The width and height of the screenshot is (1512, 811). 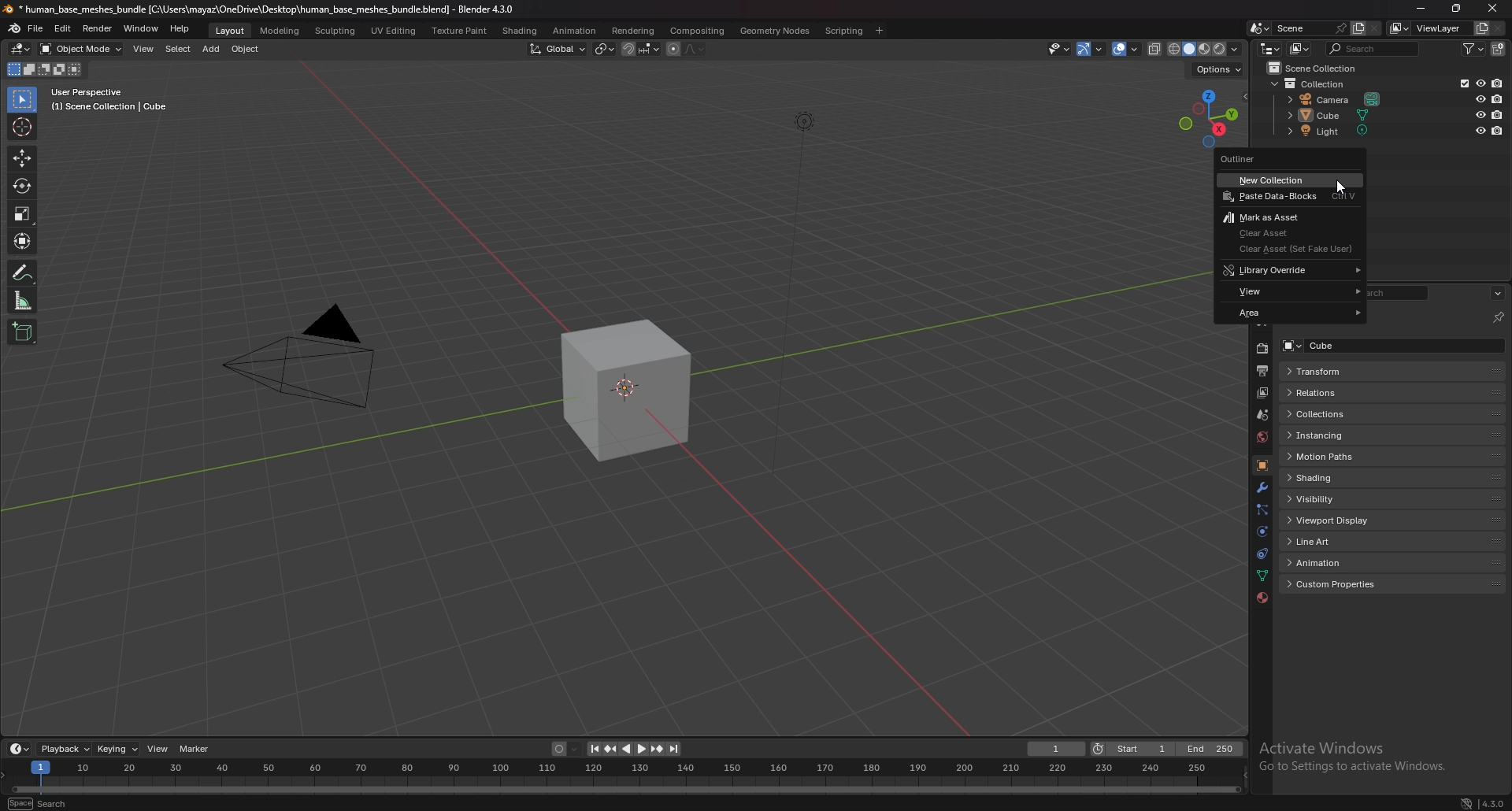 I want to click on lighting, so click(x=803, y=122).